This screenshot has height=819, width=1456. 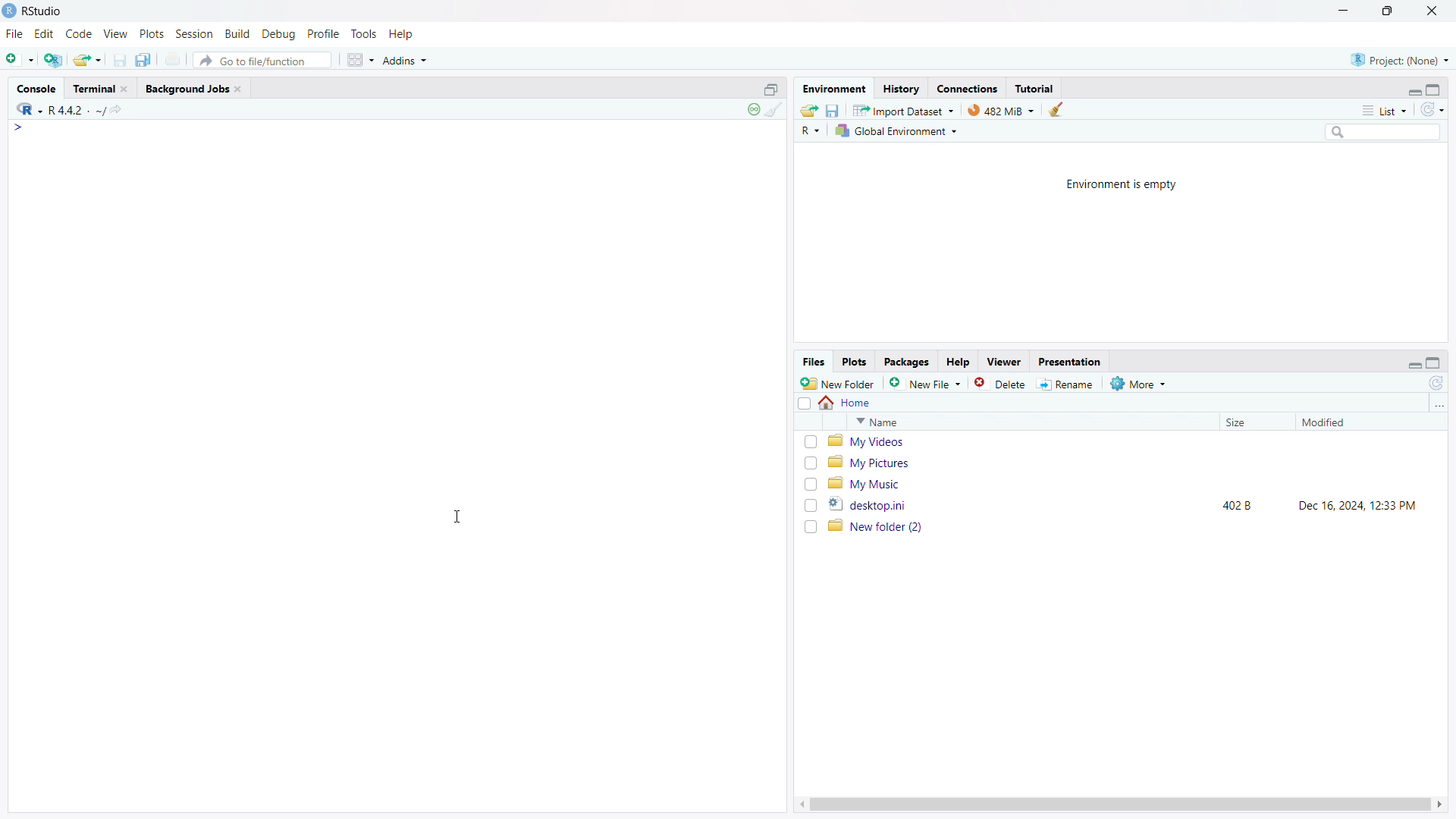 What do you see at coordinates (810, 485) in the screenshot?
I see `select individual entries` at bounding box center [810, 485].